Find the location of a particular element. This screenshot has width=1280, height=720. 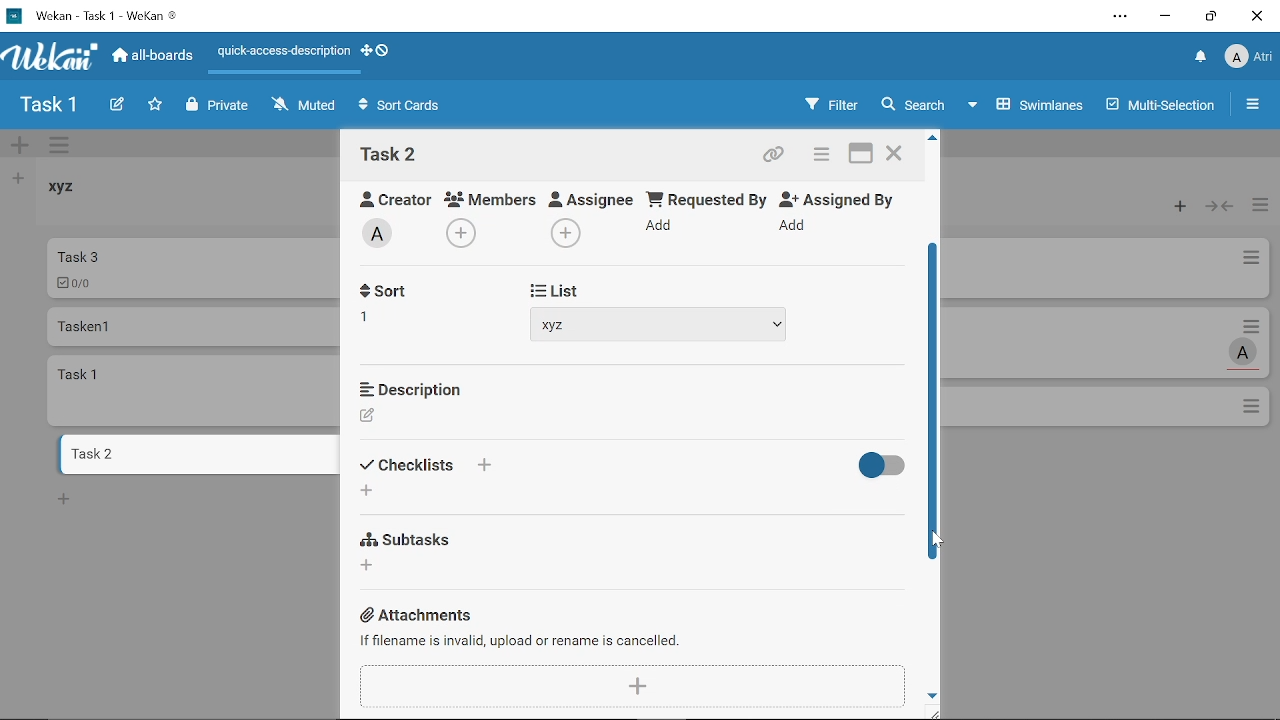

Move up is located at coordinates (933, 138).